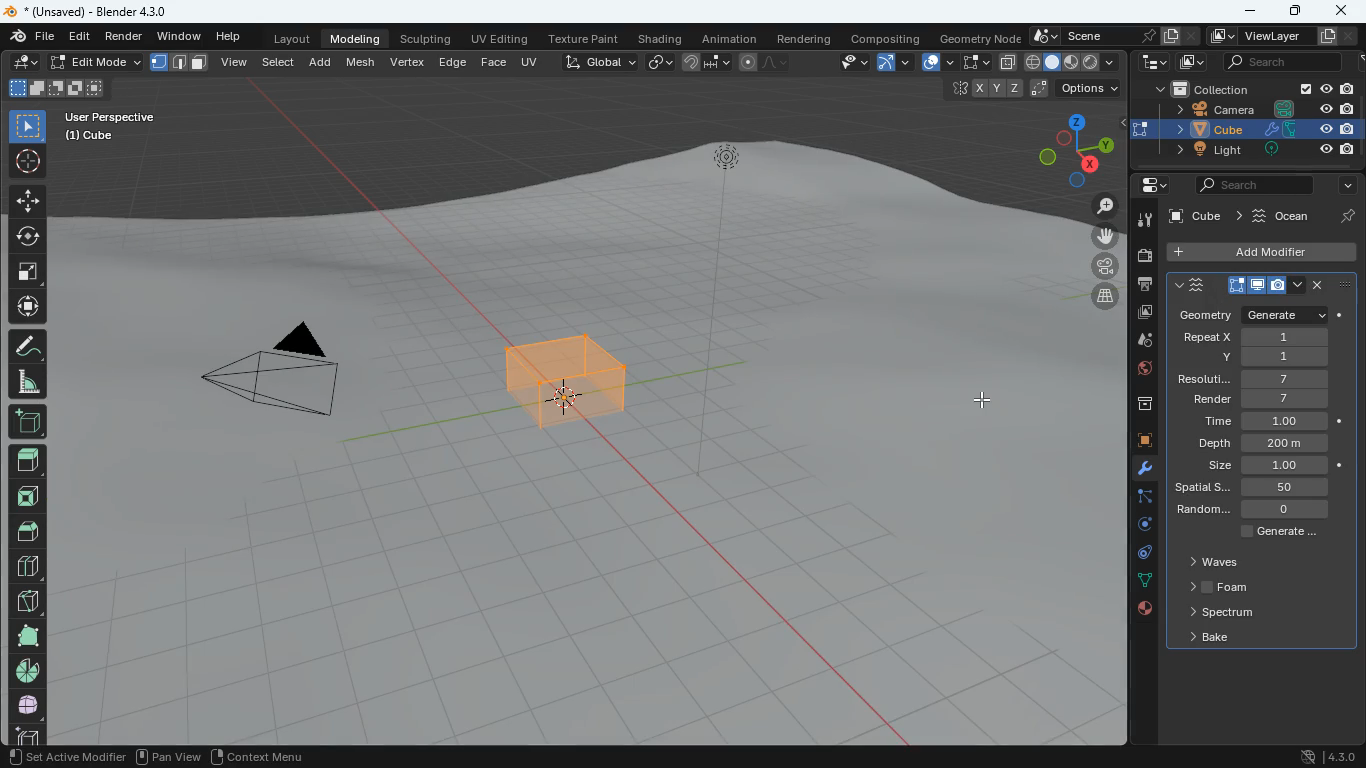  Describe the element at coordinates (1340, 10) in the screenshot. I see `close` at that location.